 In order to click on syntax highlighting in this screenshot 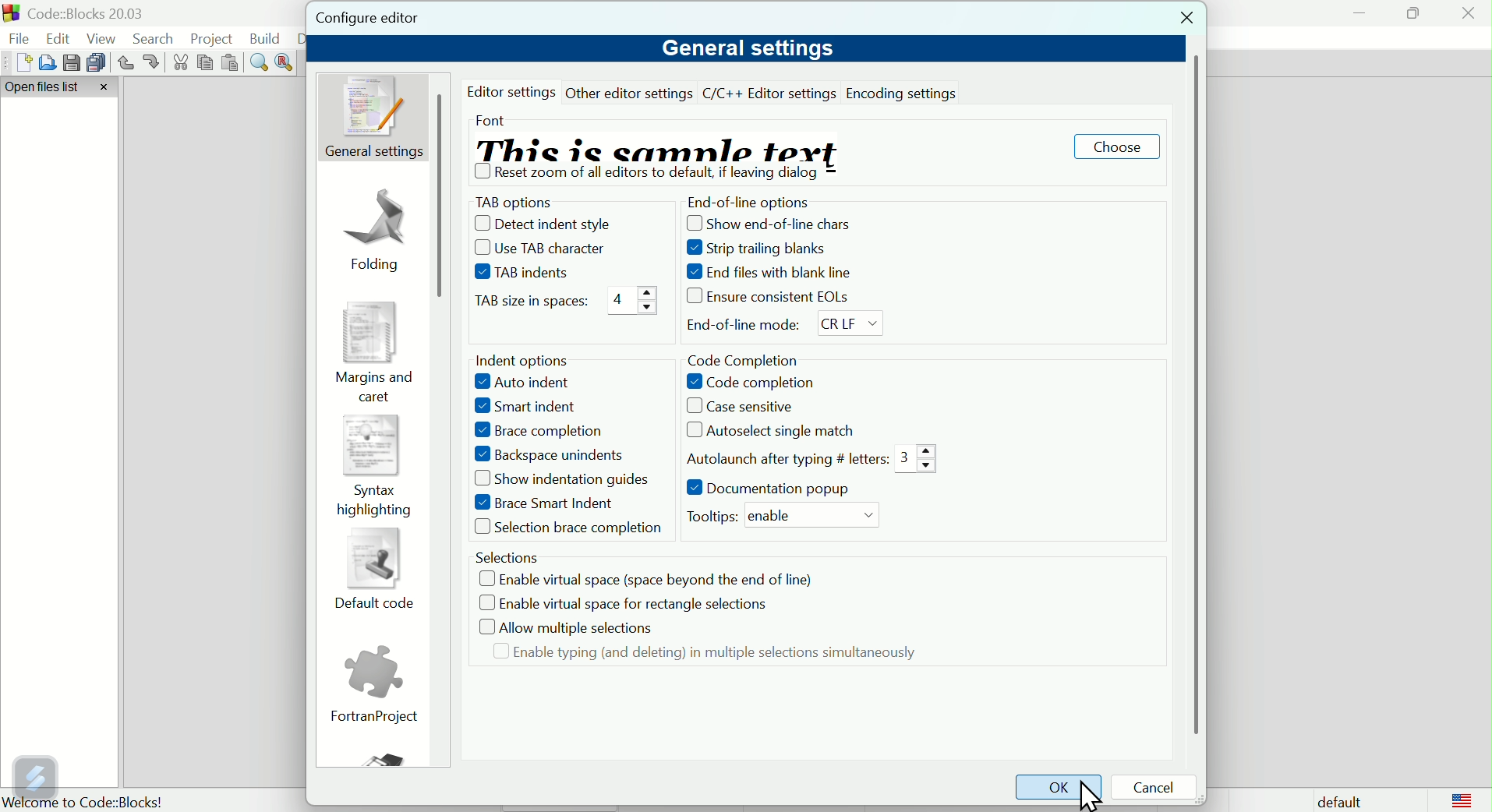, I will do `click(373, 468)`.